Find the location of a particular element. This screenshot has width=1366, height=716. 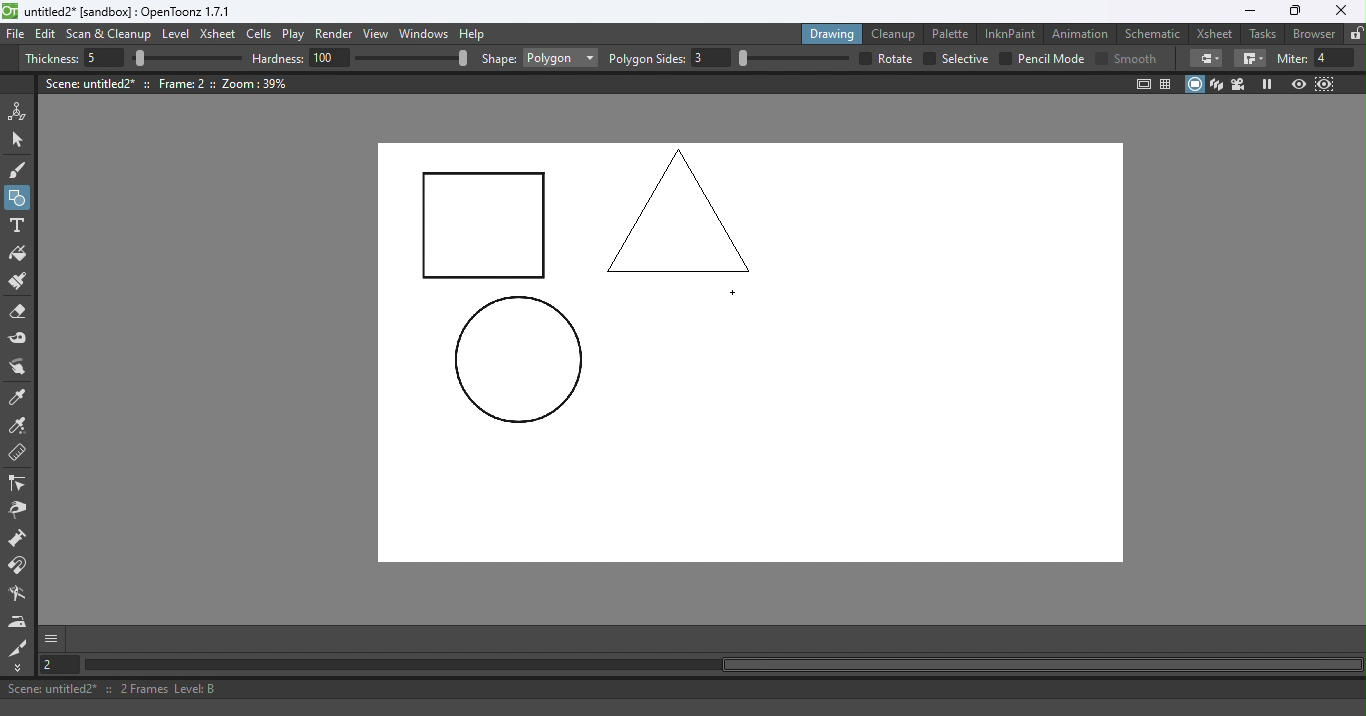

Render is located at coordinates (337, 35).